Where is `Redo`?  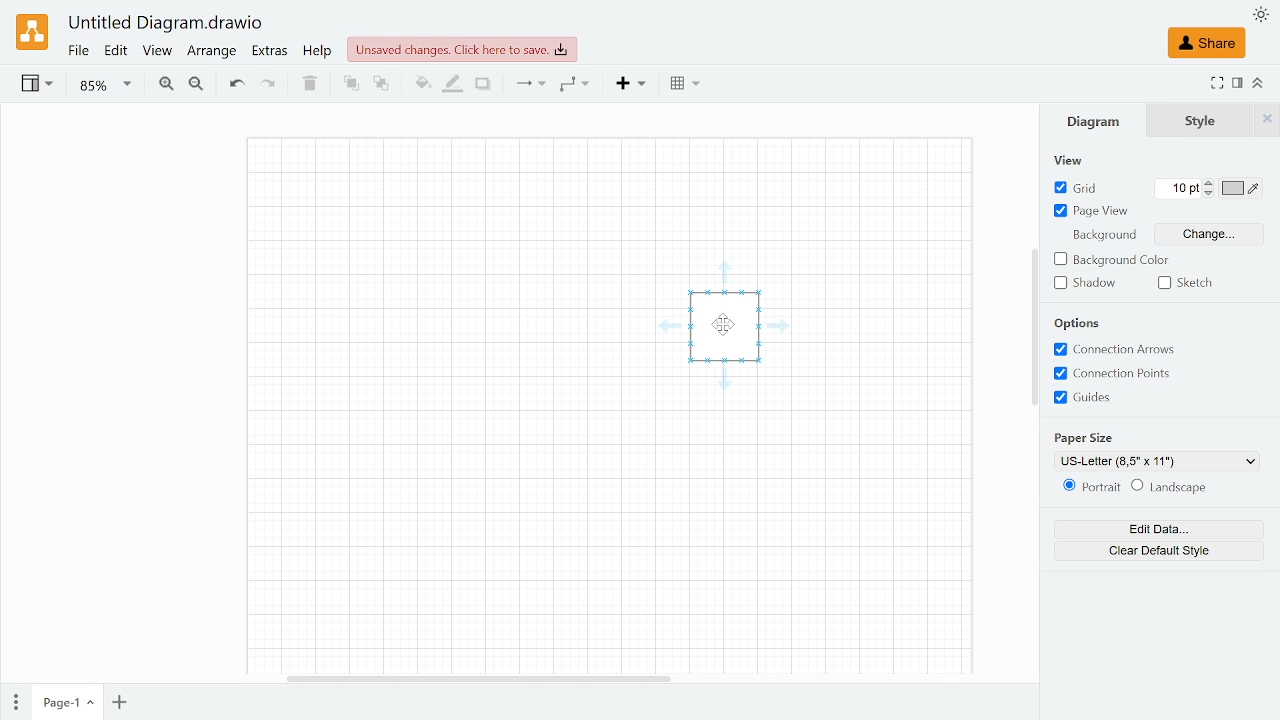
Redo is located at coordinates (267, 85).